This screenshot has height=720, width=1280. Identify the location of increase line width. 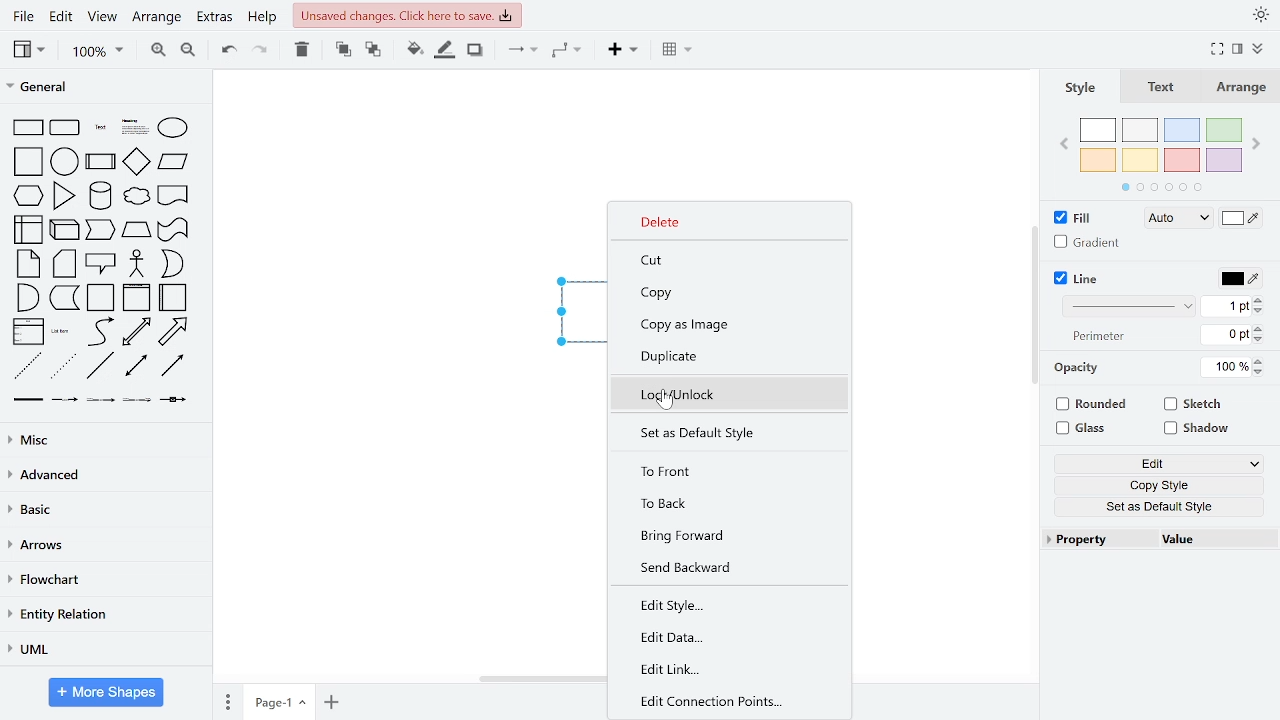
(1259, 299).